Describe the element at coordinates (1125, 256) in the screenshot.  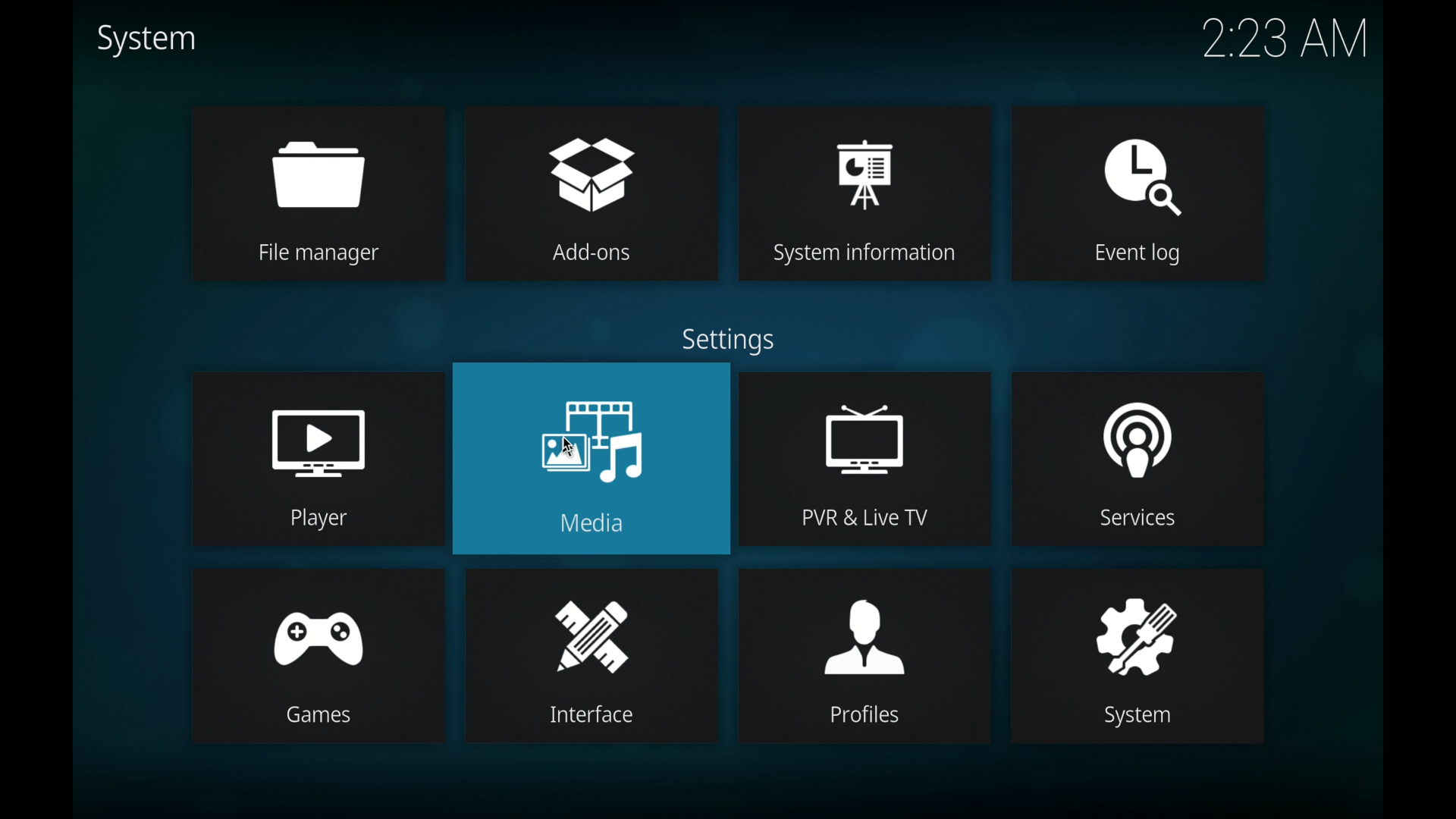
I see `Event log` at that location.